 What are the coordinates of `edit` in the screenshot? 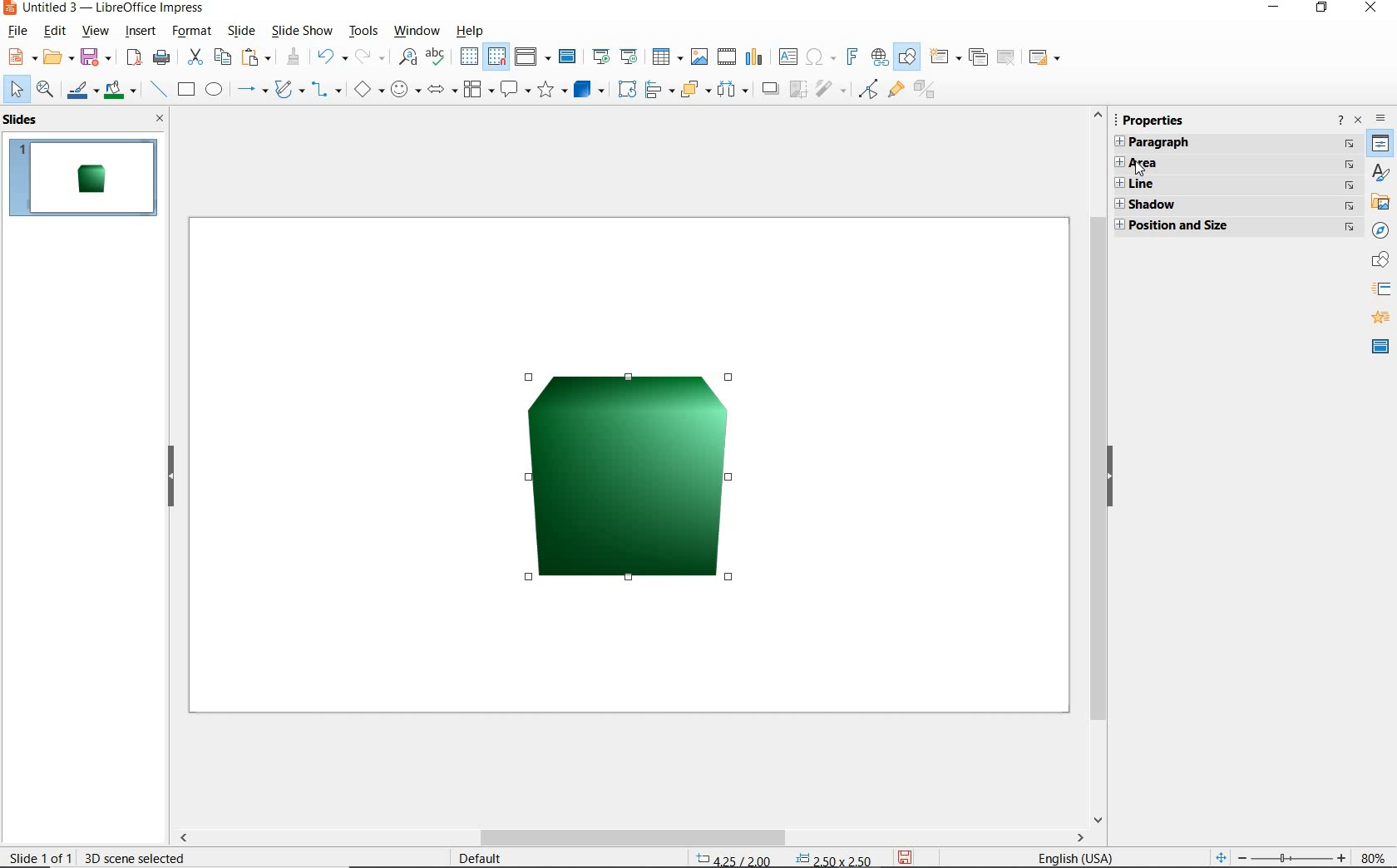 It's located at (55, 31).